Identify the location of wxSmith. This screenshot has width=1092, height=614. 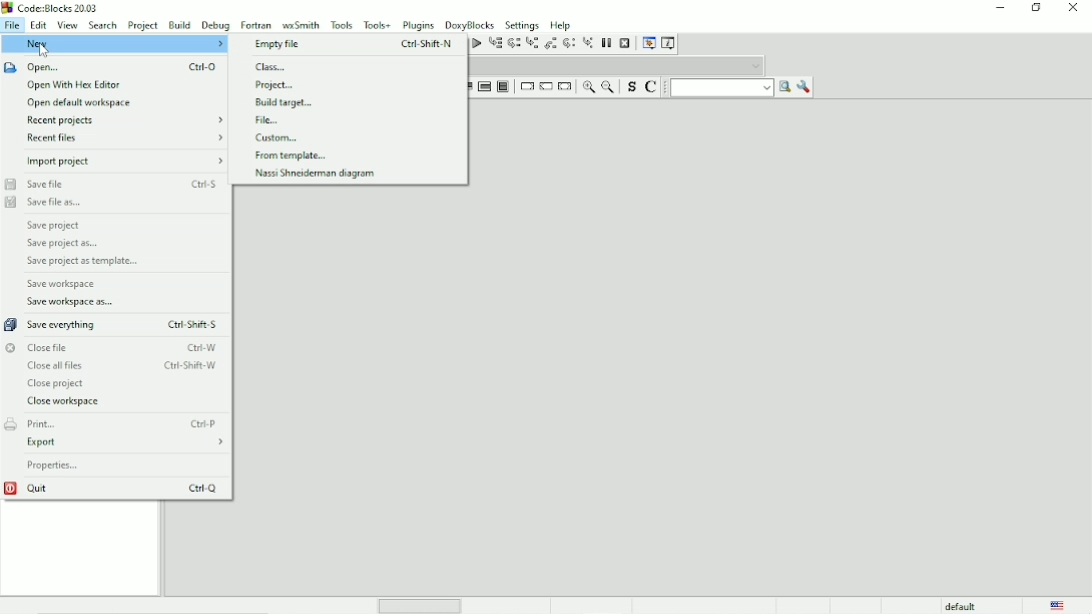
(300, 24).